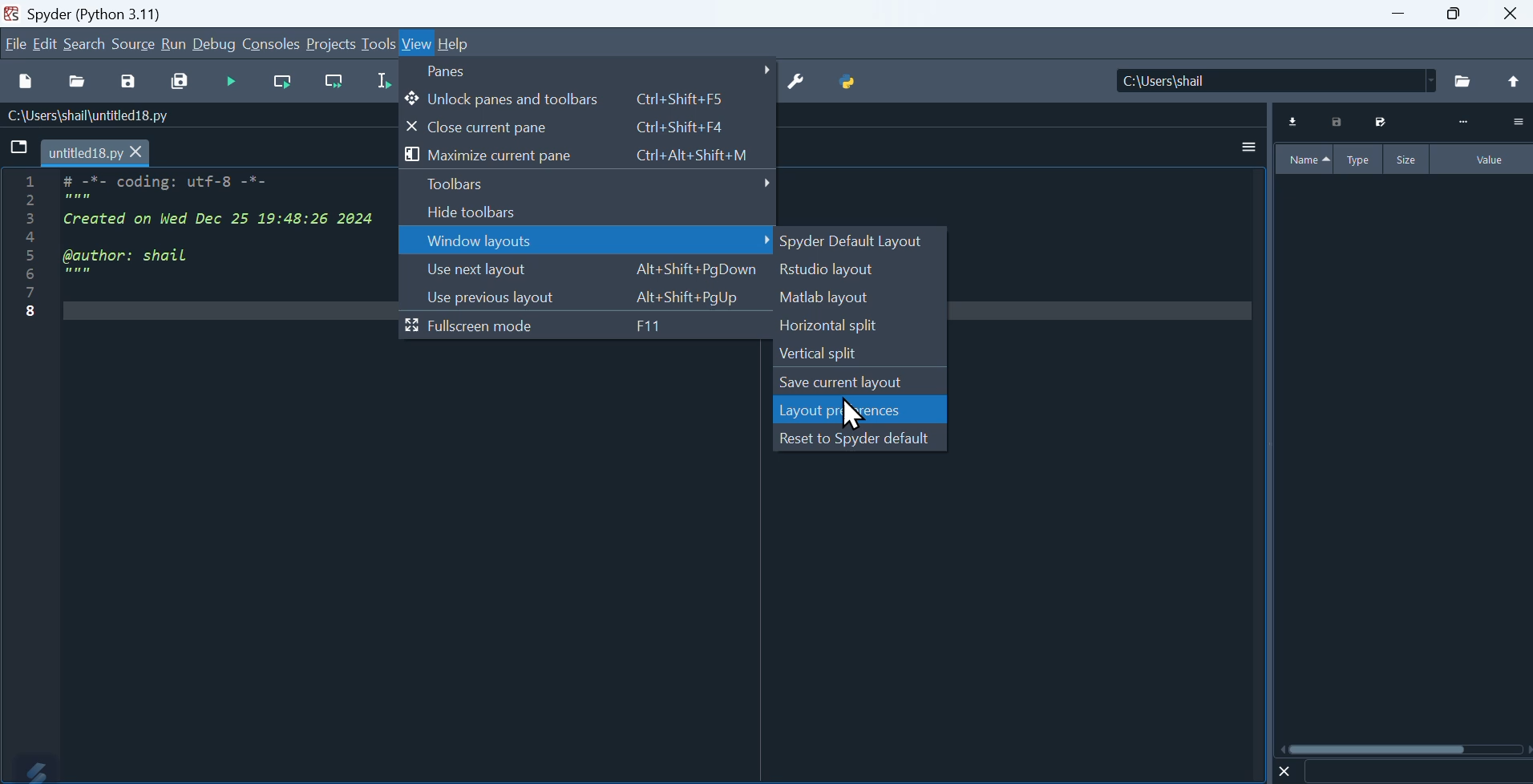 The image size is (1533, 784). I want to click on Type, so click(1361, 159).